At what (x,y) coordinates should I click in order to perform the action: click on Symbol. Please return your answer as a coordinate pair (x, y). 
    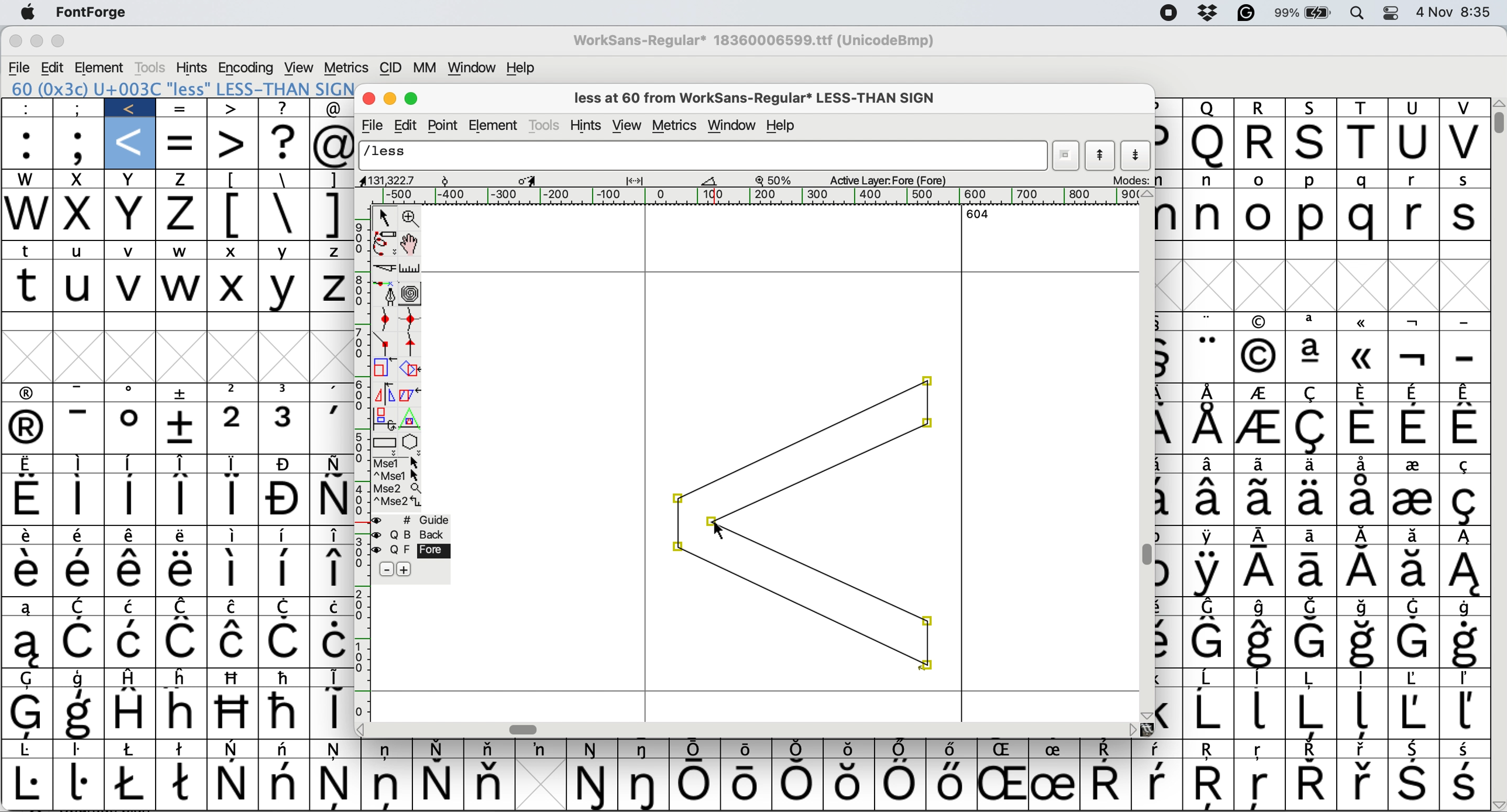
    Looking at the image, I should click on (387, 787).